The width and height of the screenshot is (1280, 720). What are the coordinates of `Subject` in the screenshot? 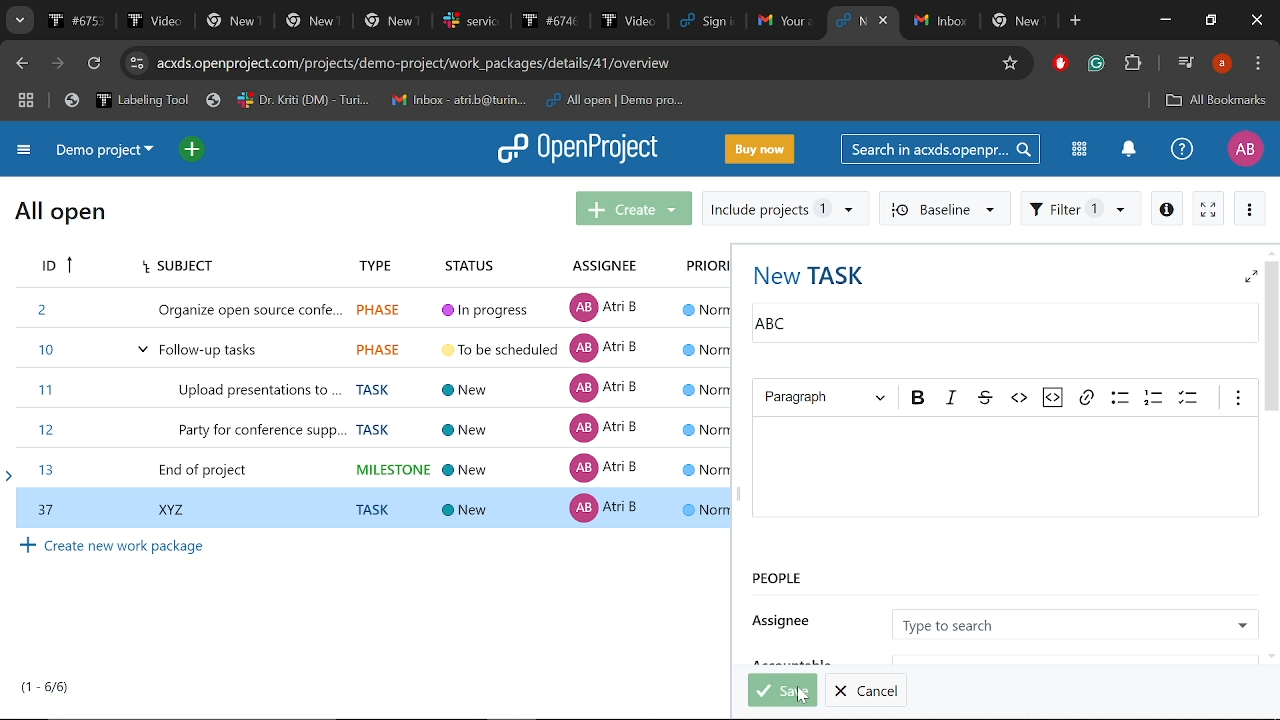 It's located at (174, 267).